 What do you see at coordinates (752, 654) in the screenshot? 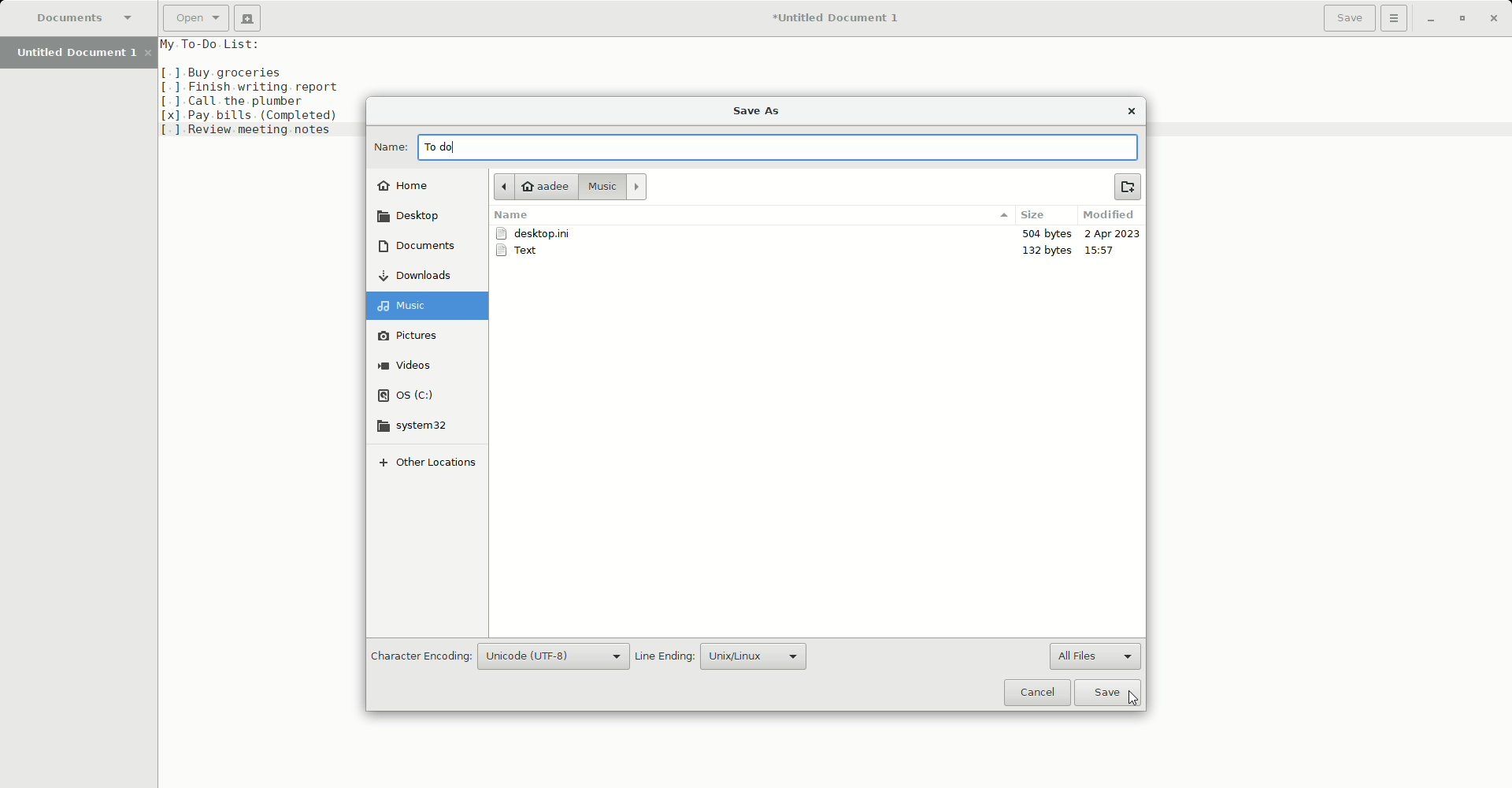
I see `Linux` at bounding box center [752, 654].